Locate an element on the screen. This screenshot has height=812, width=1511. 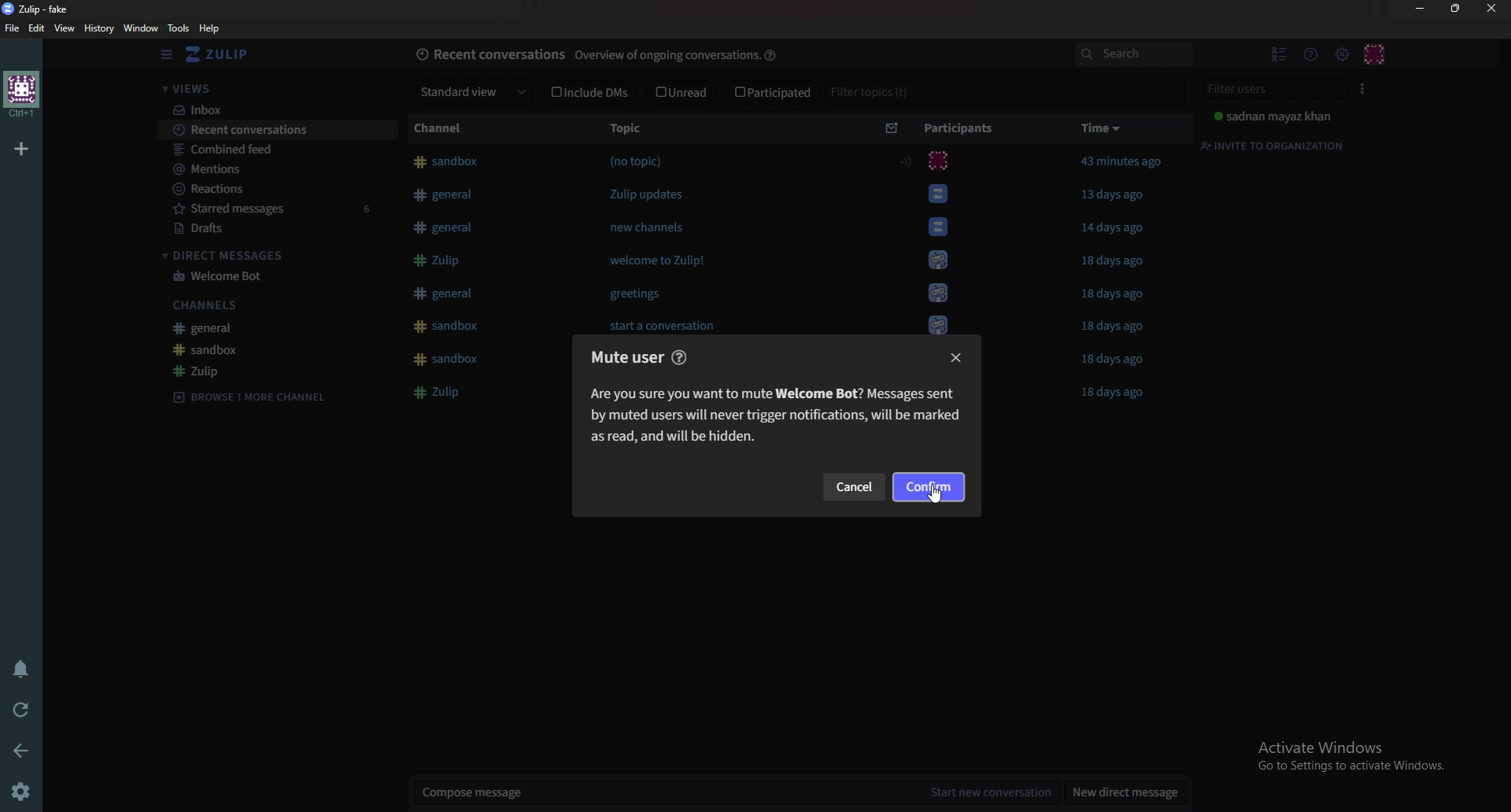
#general is located at coordinates (445, 293).